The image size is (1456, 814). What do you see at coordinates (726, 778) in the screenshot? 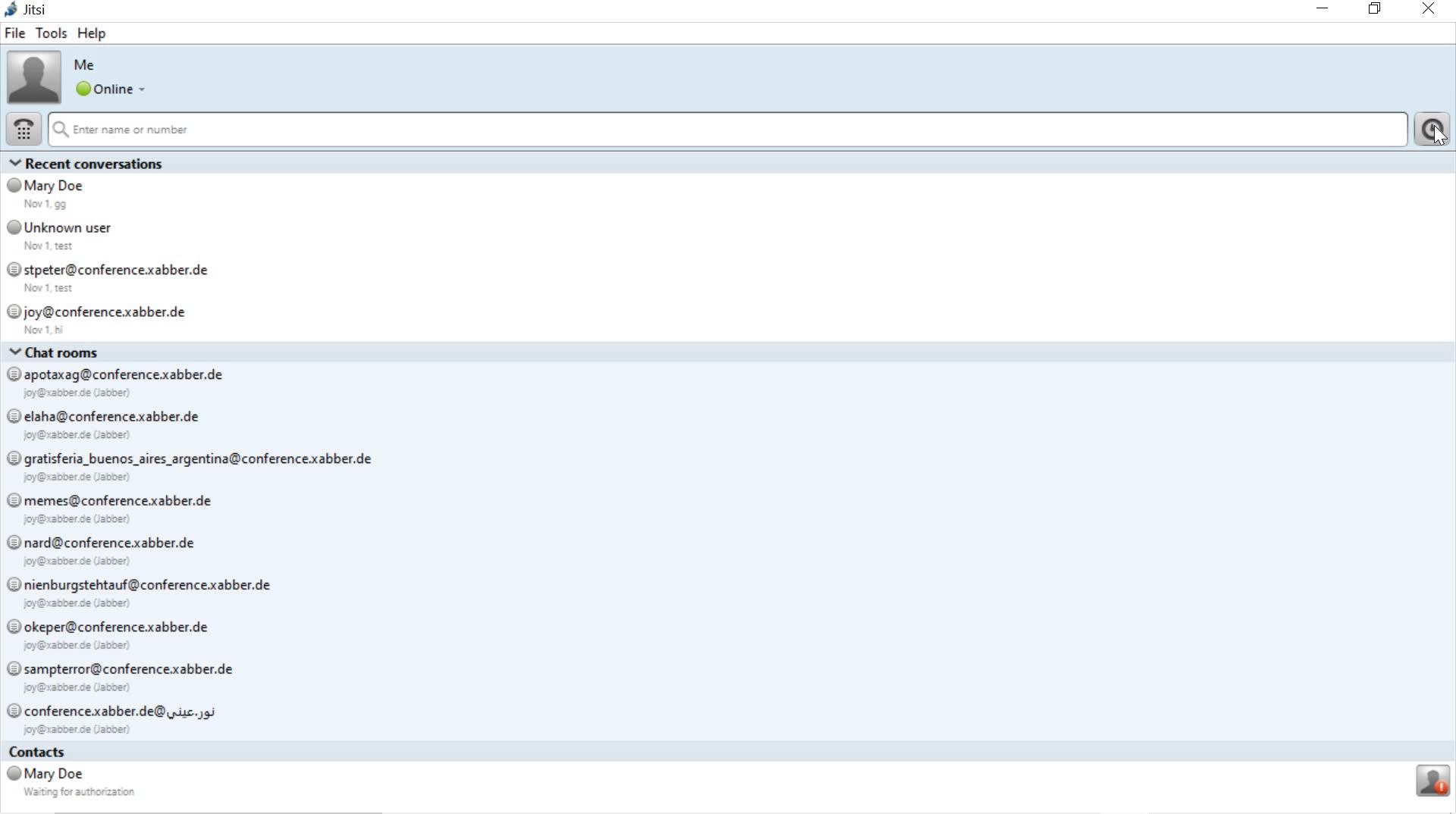
I see `recent call` at bounding box center [726, 778].